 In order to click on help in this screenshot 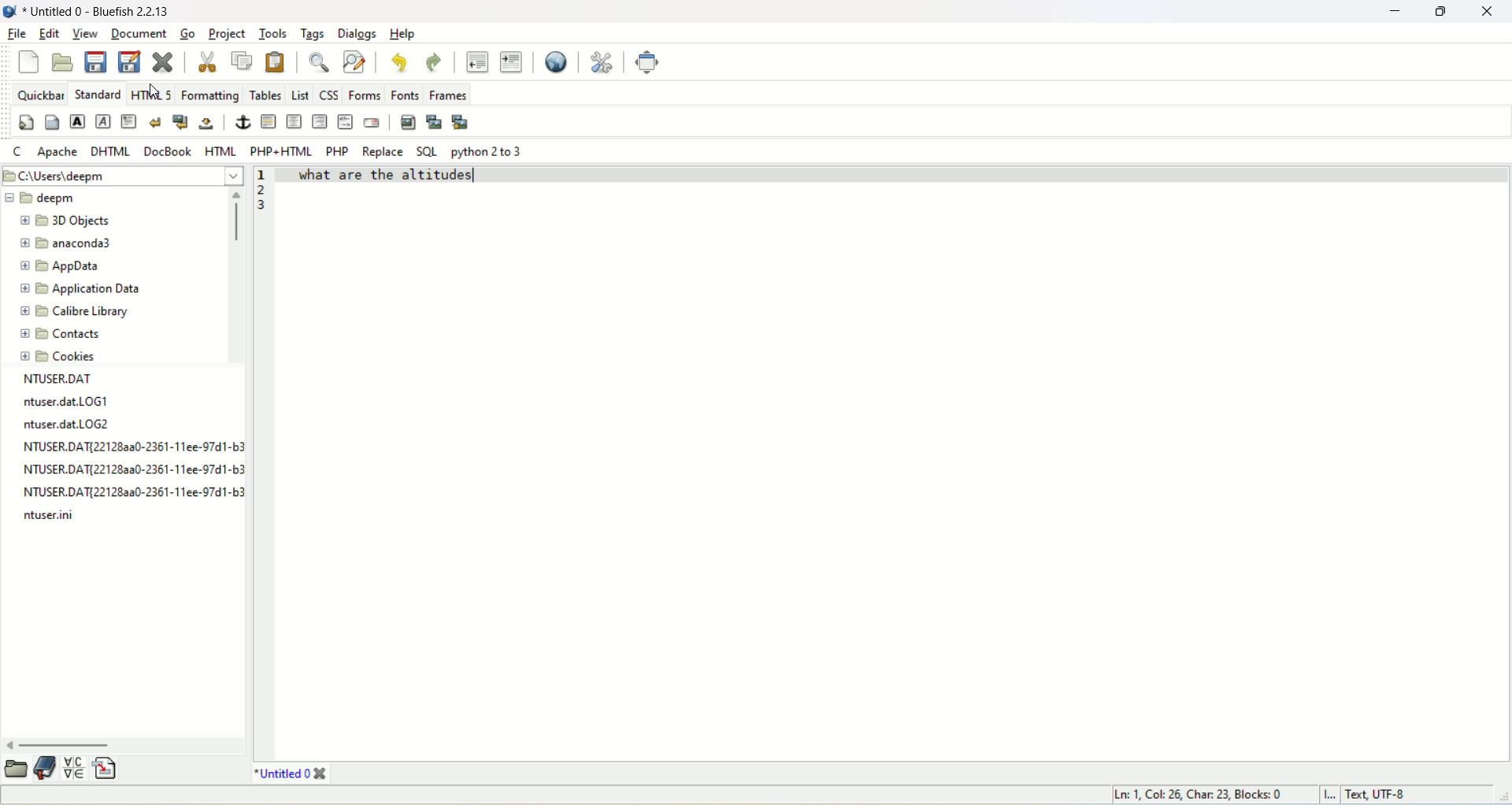, I will do `click(406, 33)`.